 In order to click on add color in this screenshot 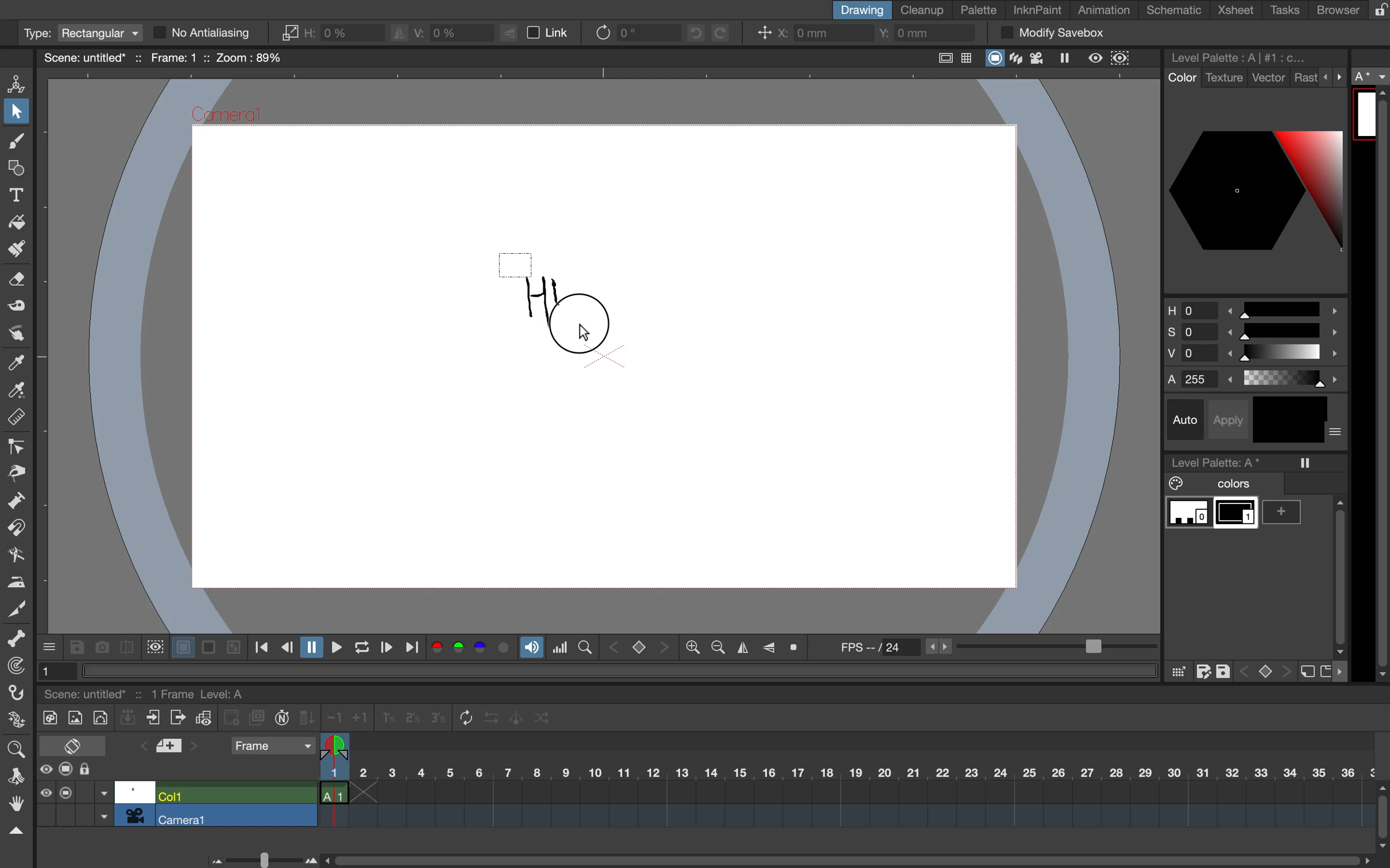, I will do `click(1286, 512)`.